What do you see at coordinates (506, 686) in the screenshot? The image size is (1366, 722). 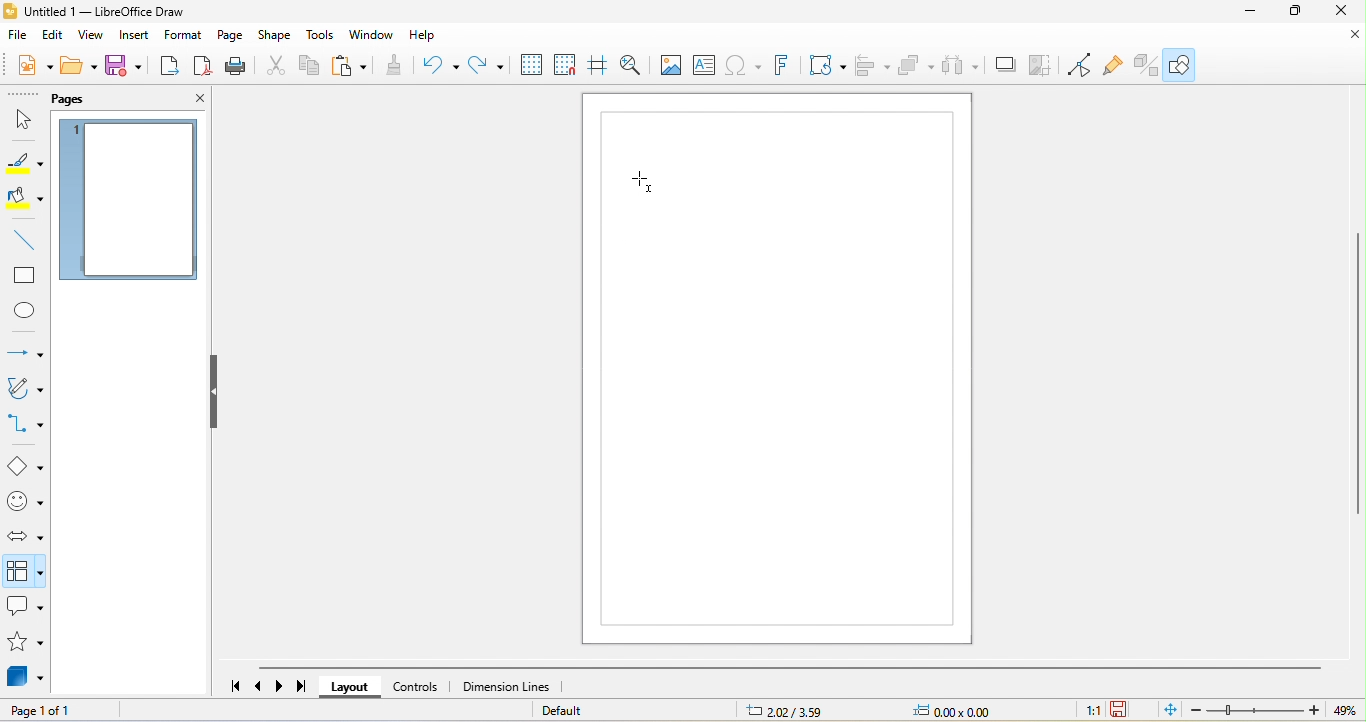 I see `dimension lines` at bounding box center [506, 686].